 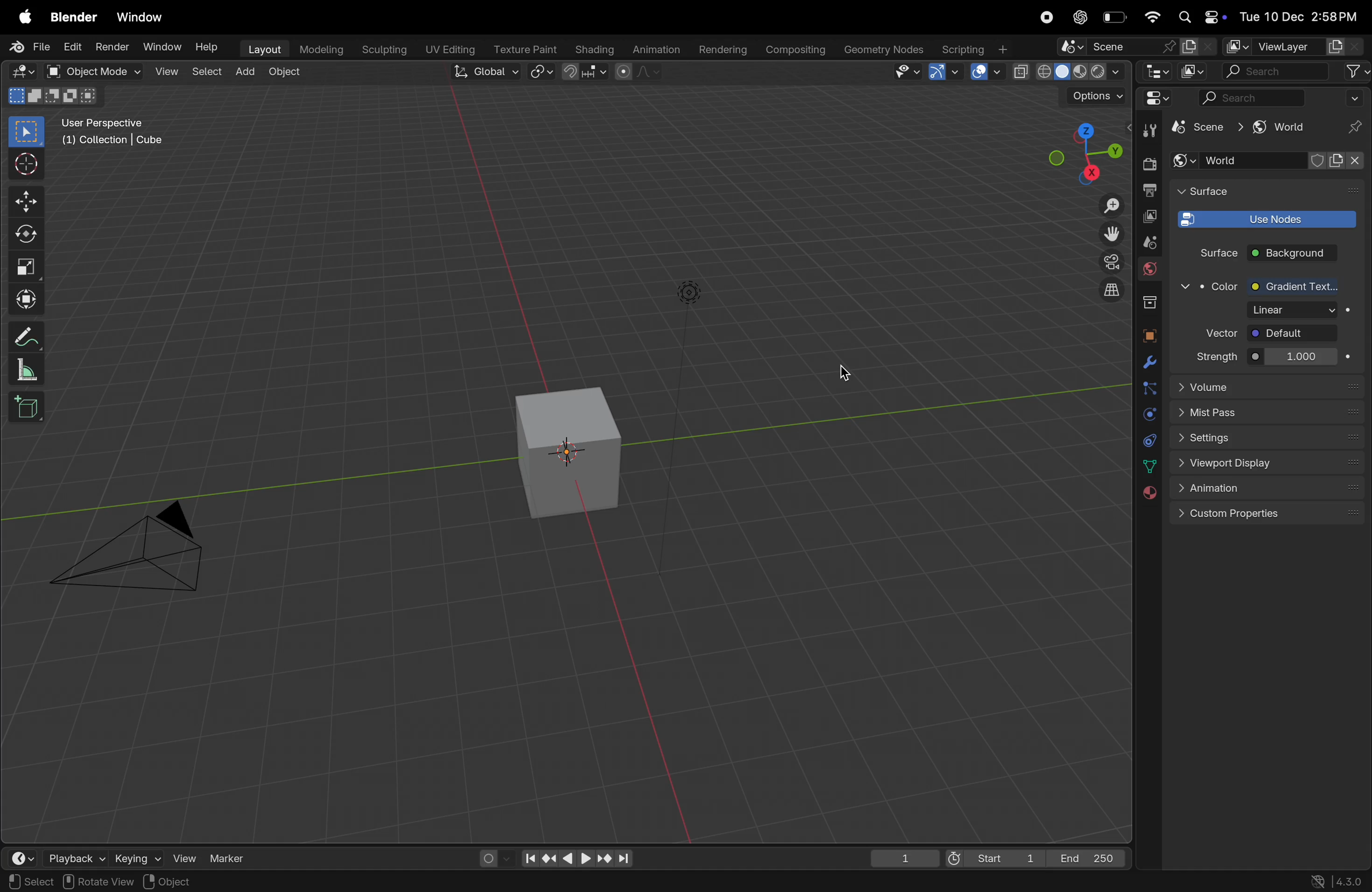 What do you see at coordinates (158, 48) in the screenshot?
I see `Window` at bounding box center [158, 48].